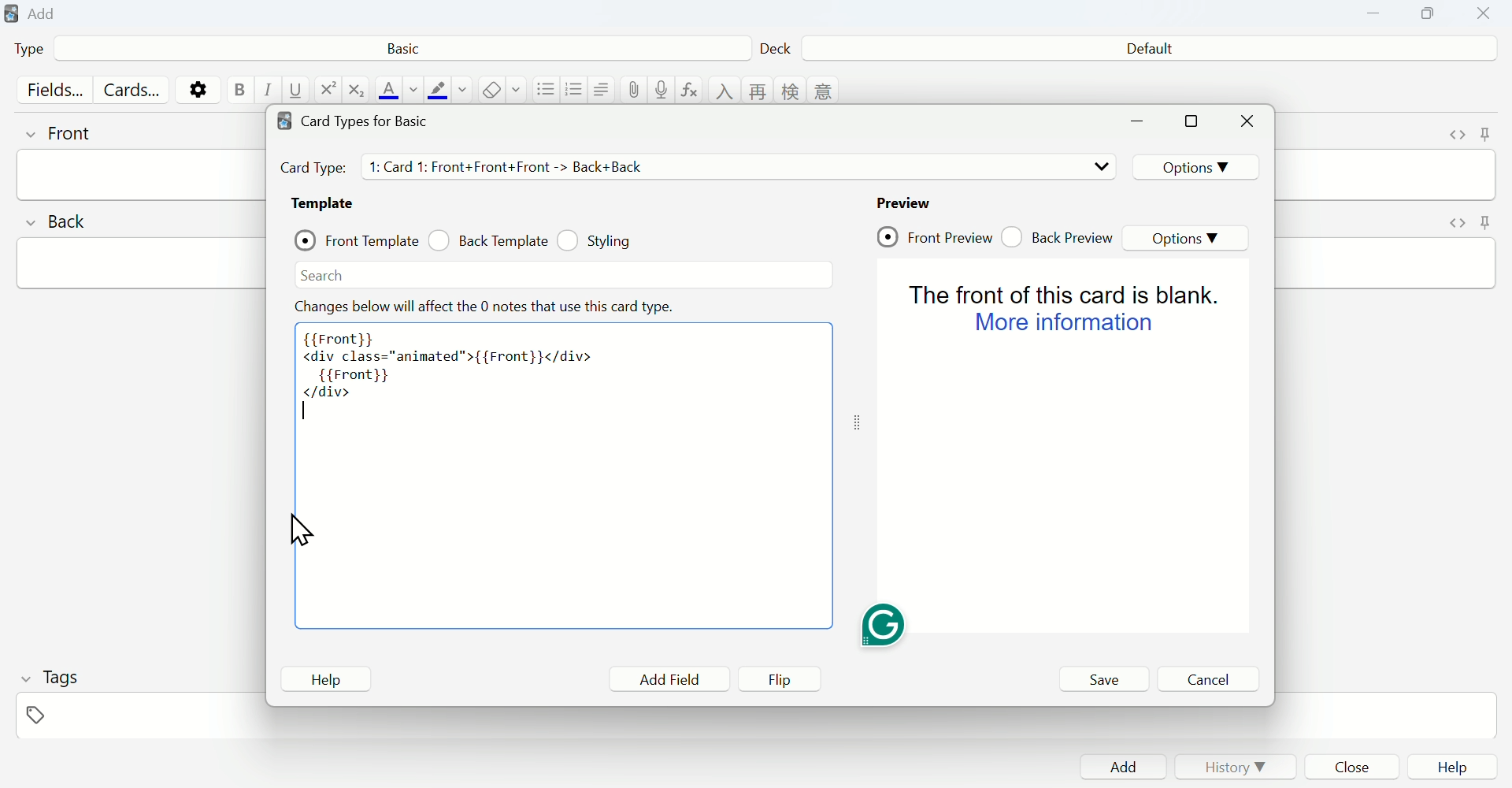 The height and width of the screenshot is (788, 1512). What do you see at coordinates (487, 305) in the screenshot?
I see `Effect note` at bounding box center [487, 305].